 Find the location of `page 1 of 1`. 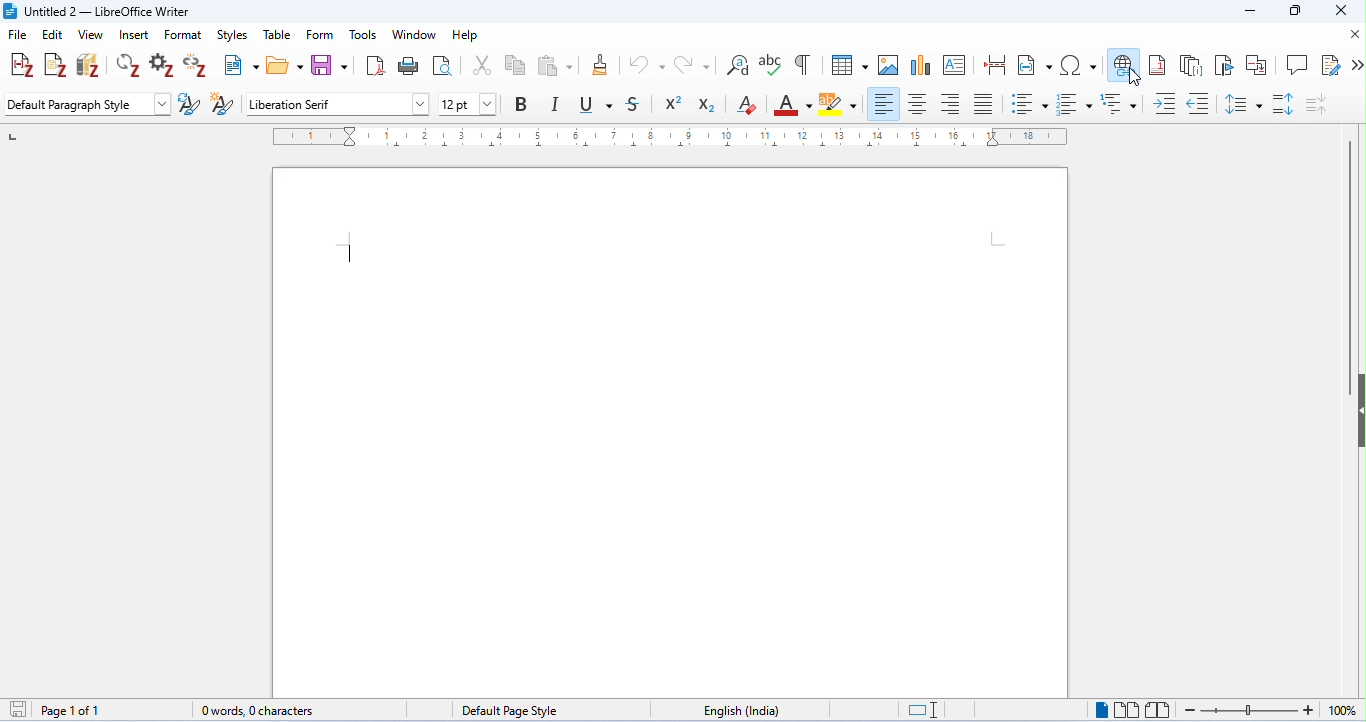

page 1 of 1 is located at coordinates (73, 711).